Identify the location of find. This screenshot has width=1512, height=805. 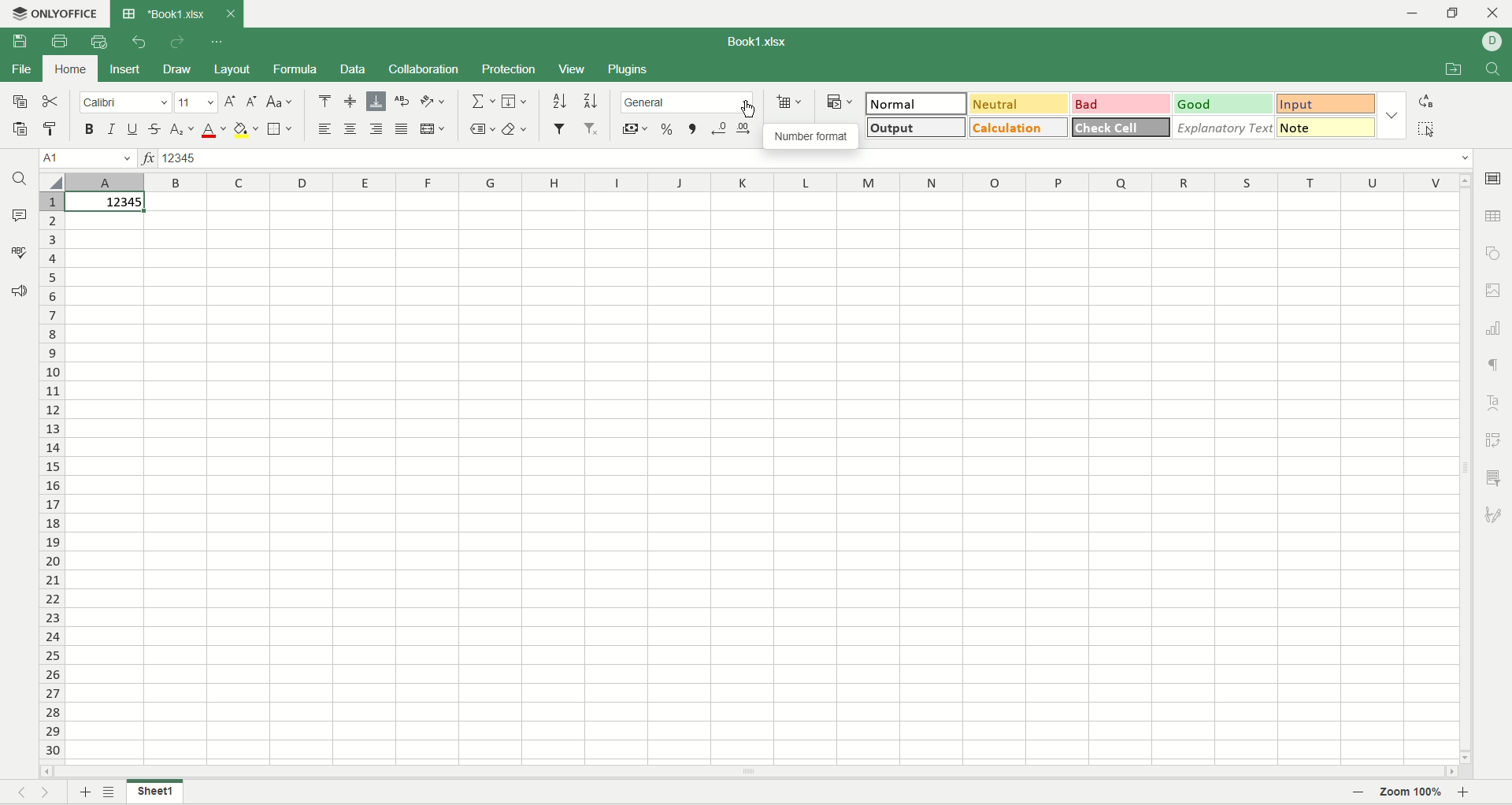
(1494, 70).